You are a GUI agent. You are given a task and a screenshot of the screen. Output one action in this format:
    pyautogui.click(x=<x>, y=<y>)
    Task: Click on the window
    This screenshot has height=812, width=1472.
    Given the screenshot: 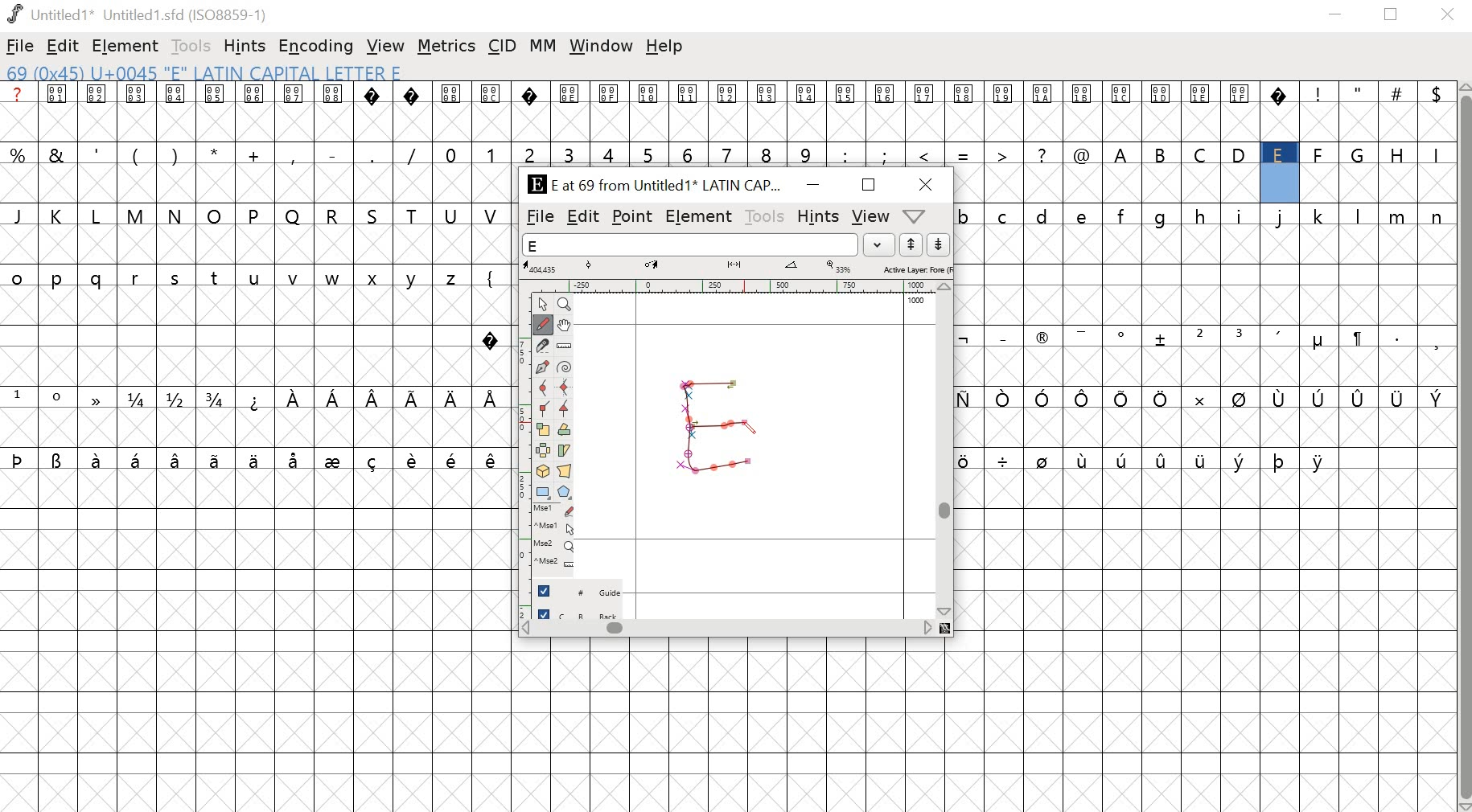 What is the action you would take?
    pyautogui.click(x=599, y=45)
    